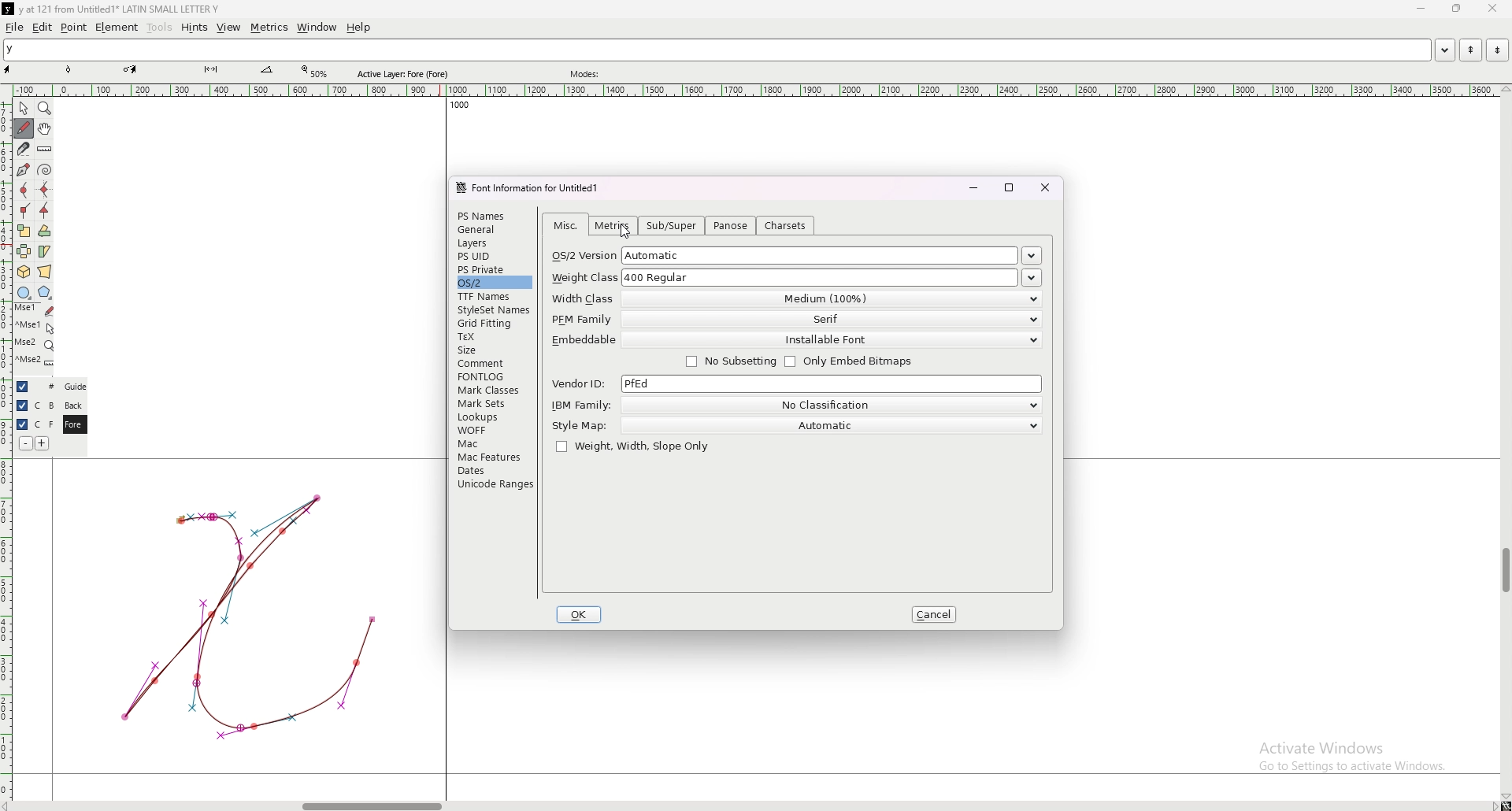  Describe the element at coordinates (25, 443) in the screenshot. I see `remove layer` at that location.